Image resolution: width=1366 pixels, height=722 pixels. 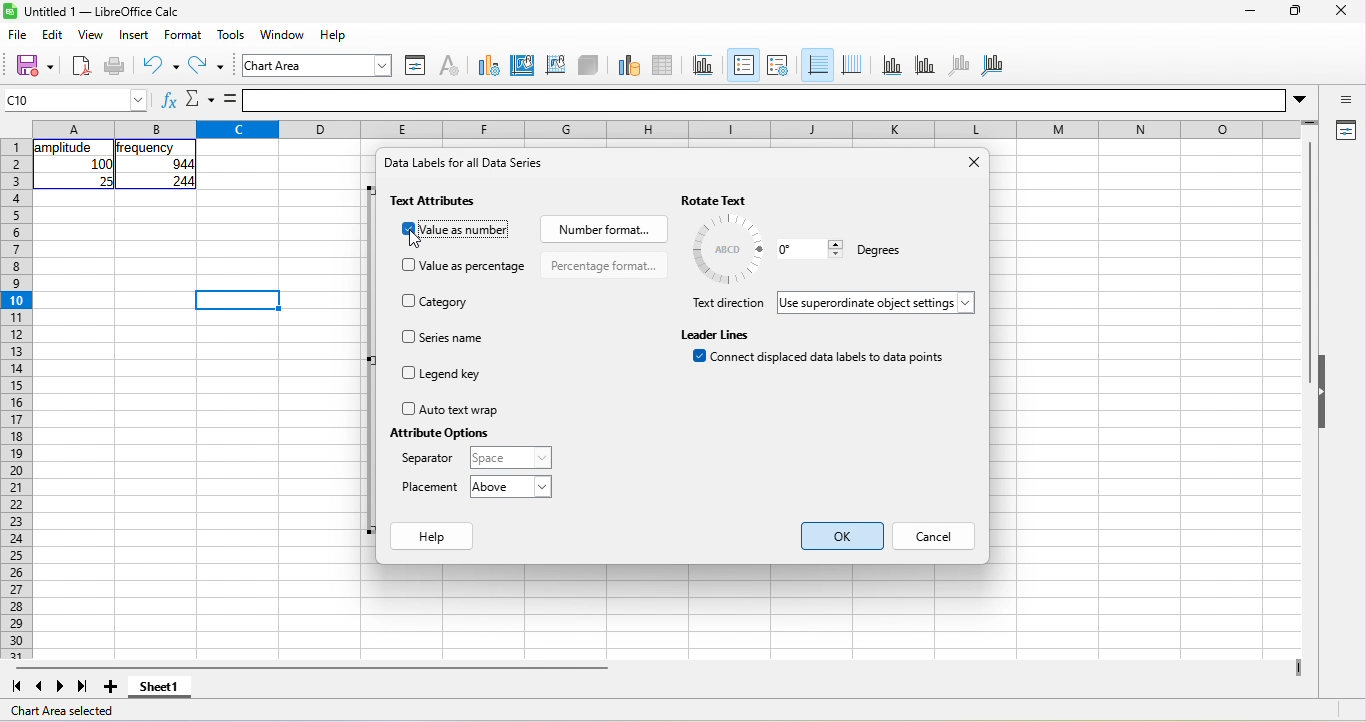 I want to click on help, so click(x=335, y=34).